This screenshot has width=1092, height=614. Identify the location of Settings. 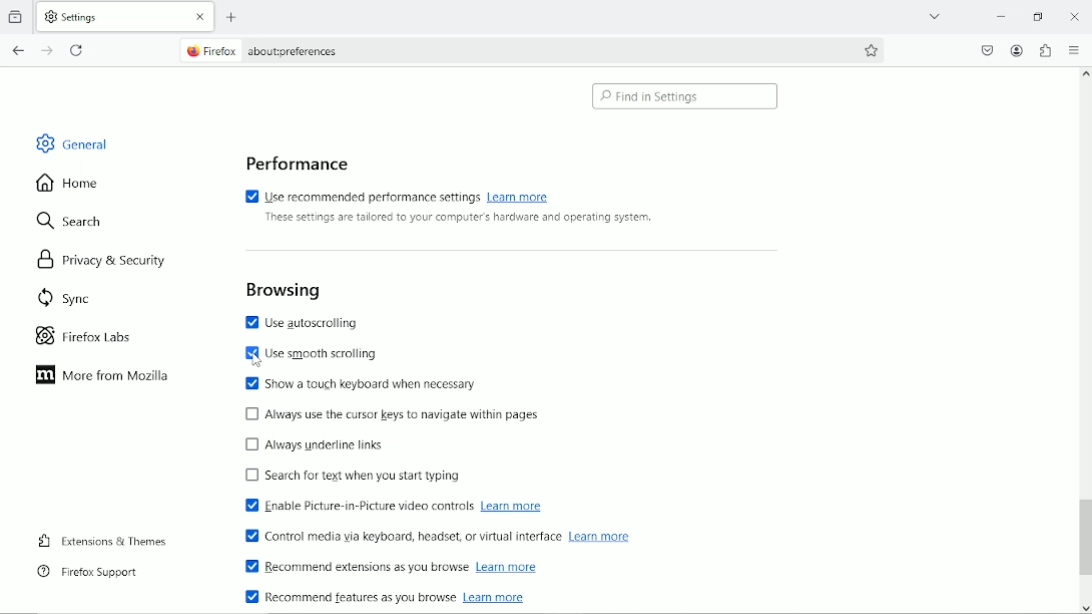
(110, 16).